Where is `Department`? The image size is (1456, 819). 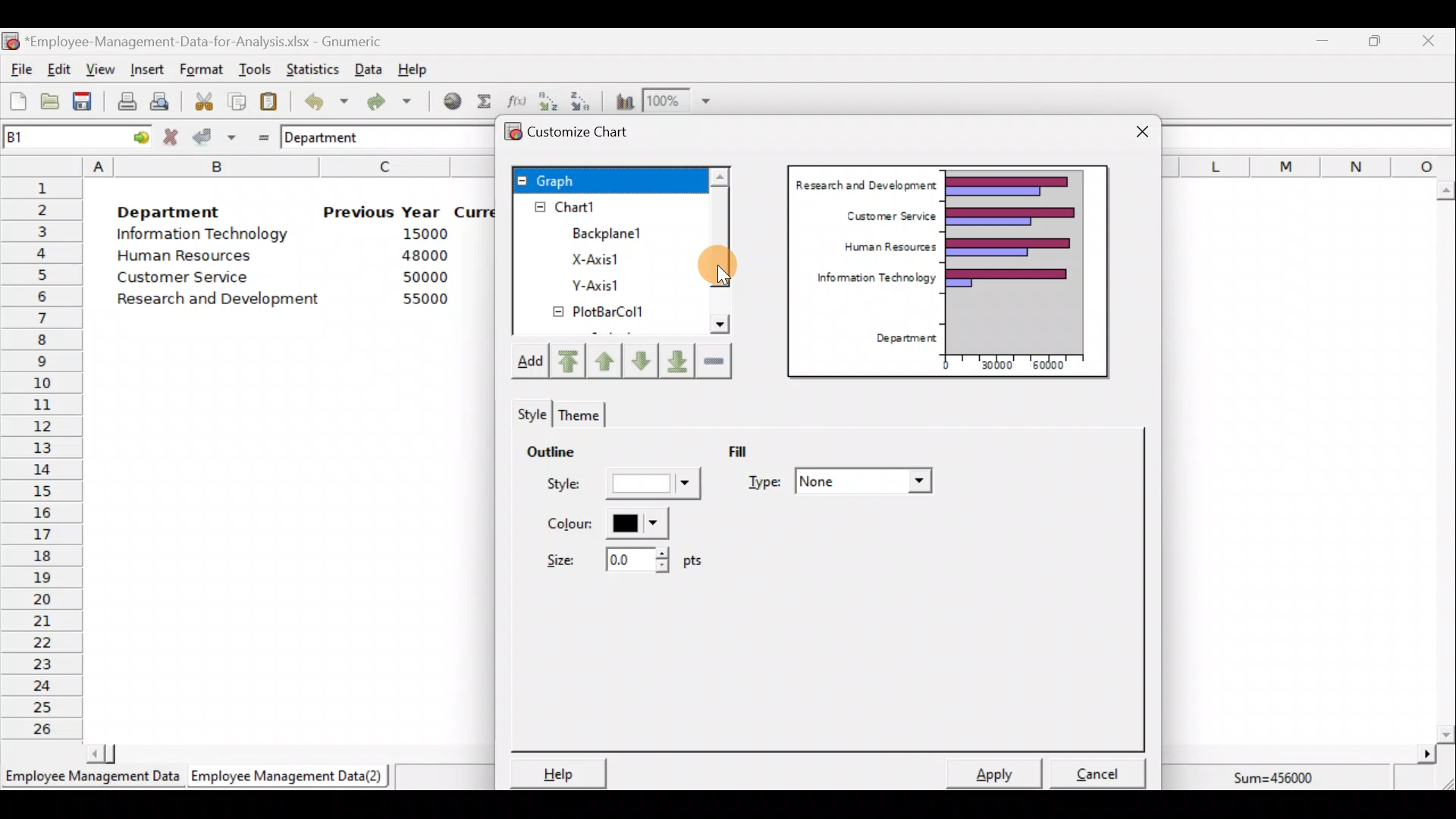
Department is located at coordinates (901, 339).